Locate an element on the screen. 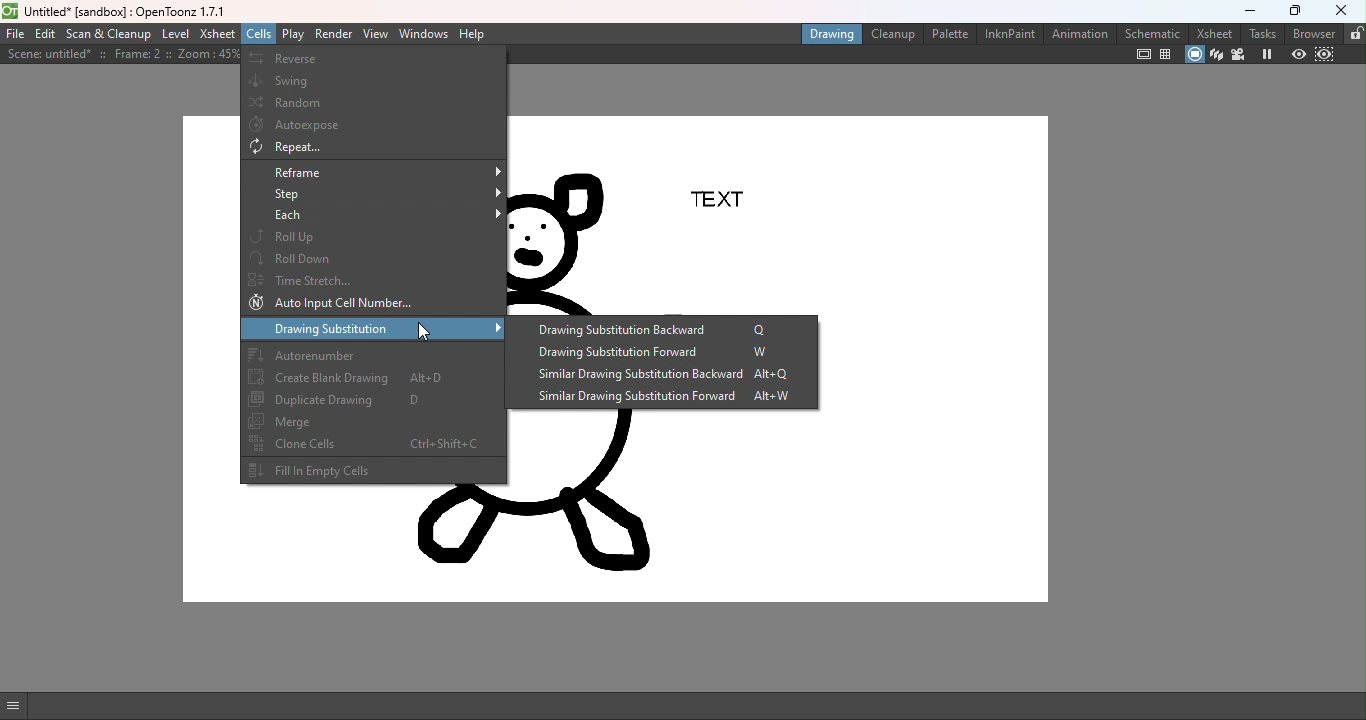  Freeze is located at coordinates (1266, 54).